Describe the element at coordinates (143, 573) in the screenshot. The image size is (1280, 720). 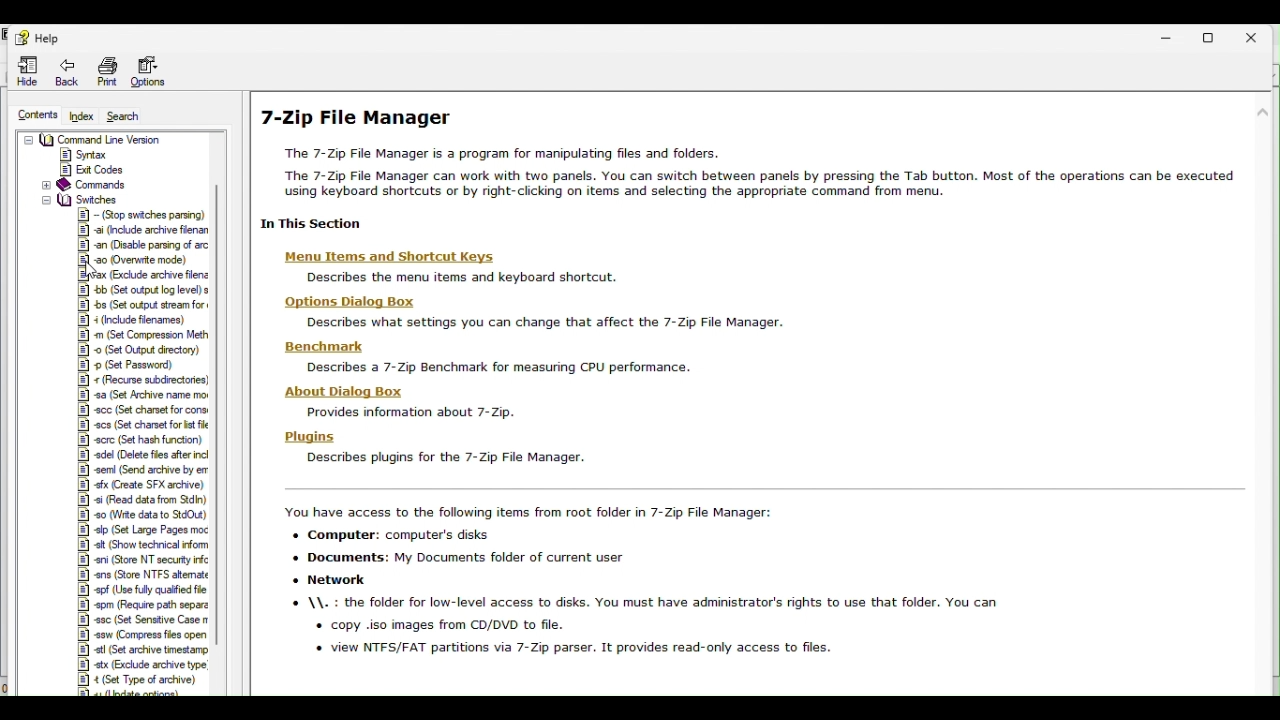
I see `[8] ens (Store NTFS atemate` at that location.